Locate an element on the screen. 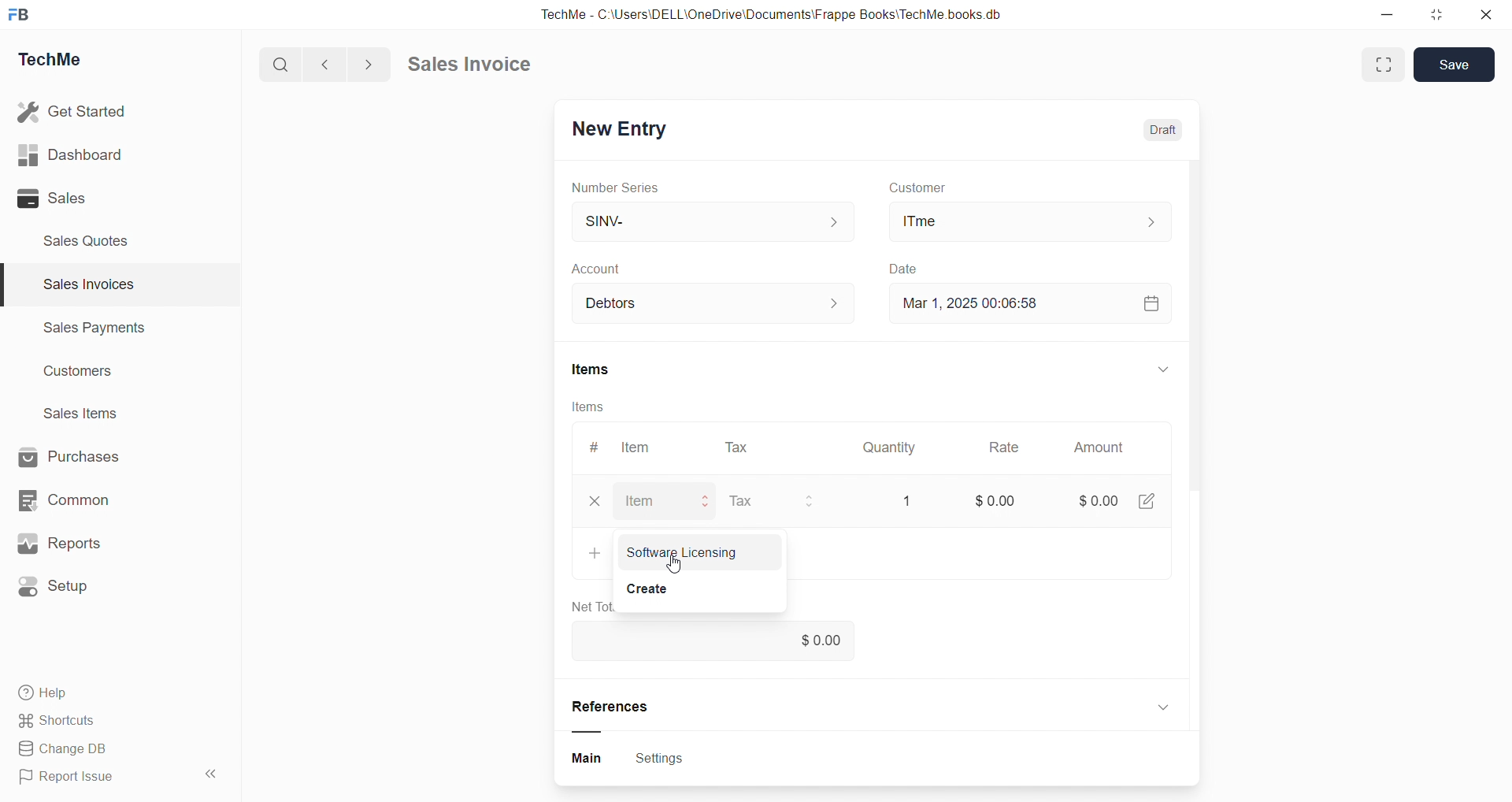 Image resolution: width=1512 pixels, height=802 pixels. Sales Payments is located at coordinates (87, 330).